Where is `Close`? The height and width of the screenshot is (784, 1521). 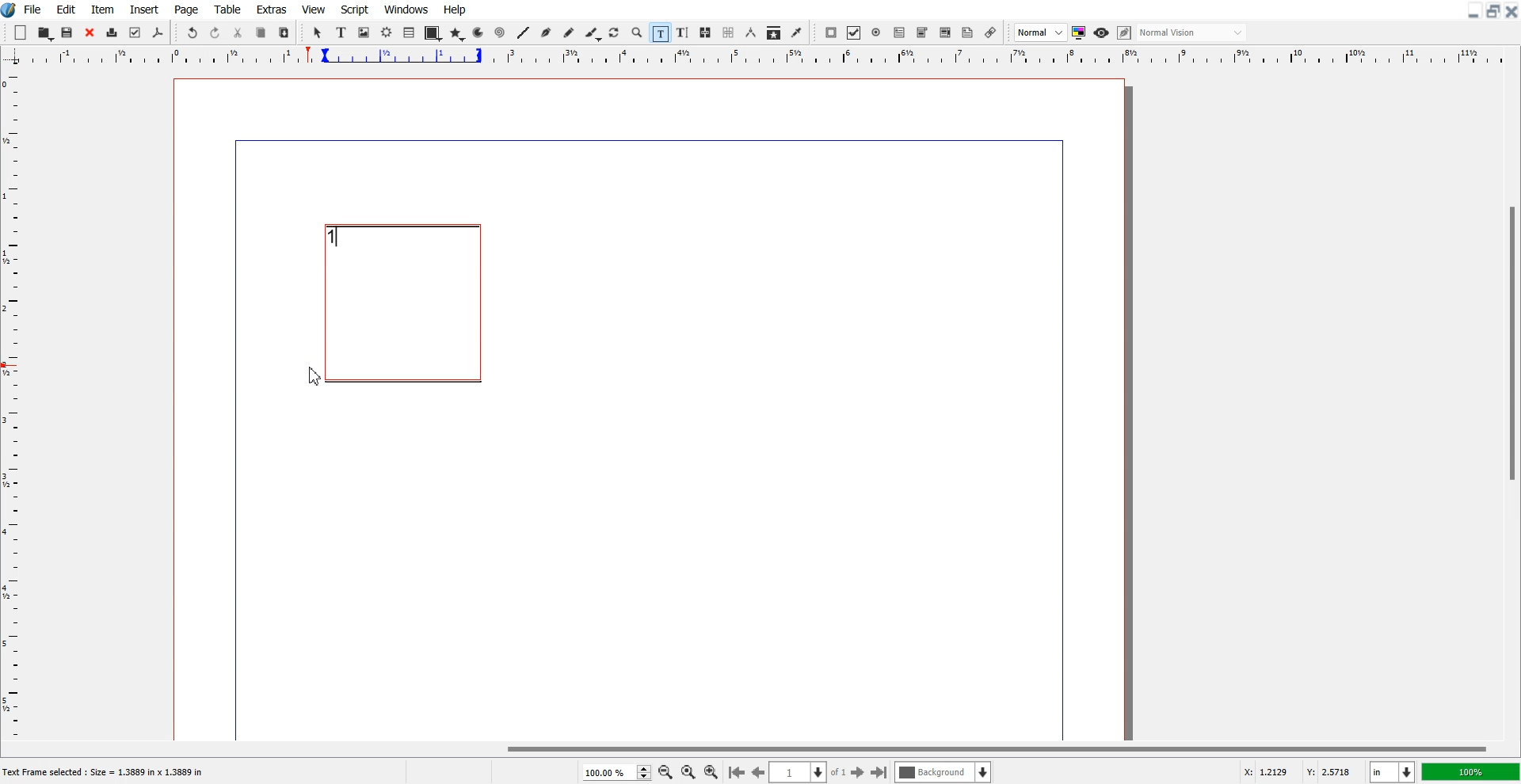 Close is located at coordinates (90, 33).